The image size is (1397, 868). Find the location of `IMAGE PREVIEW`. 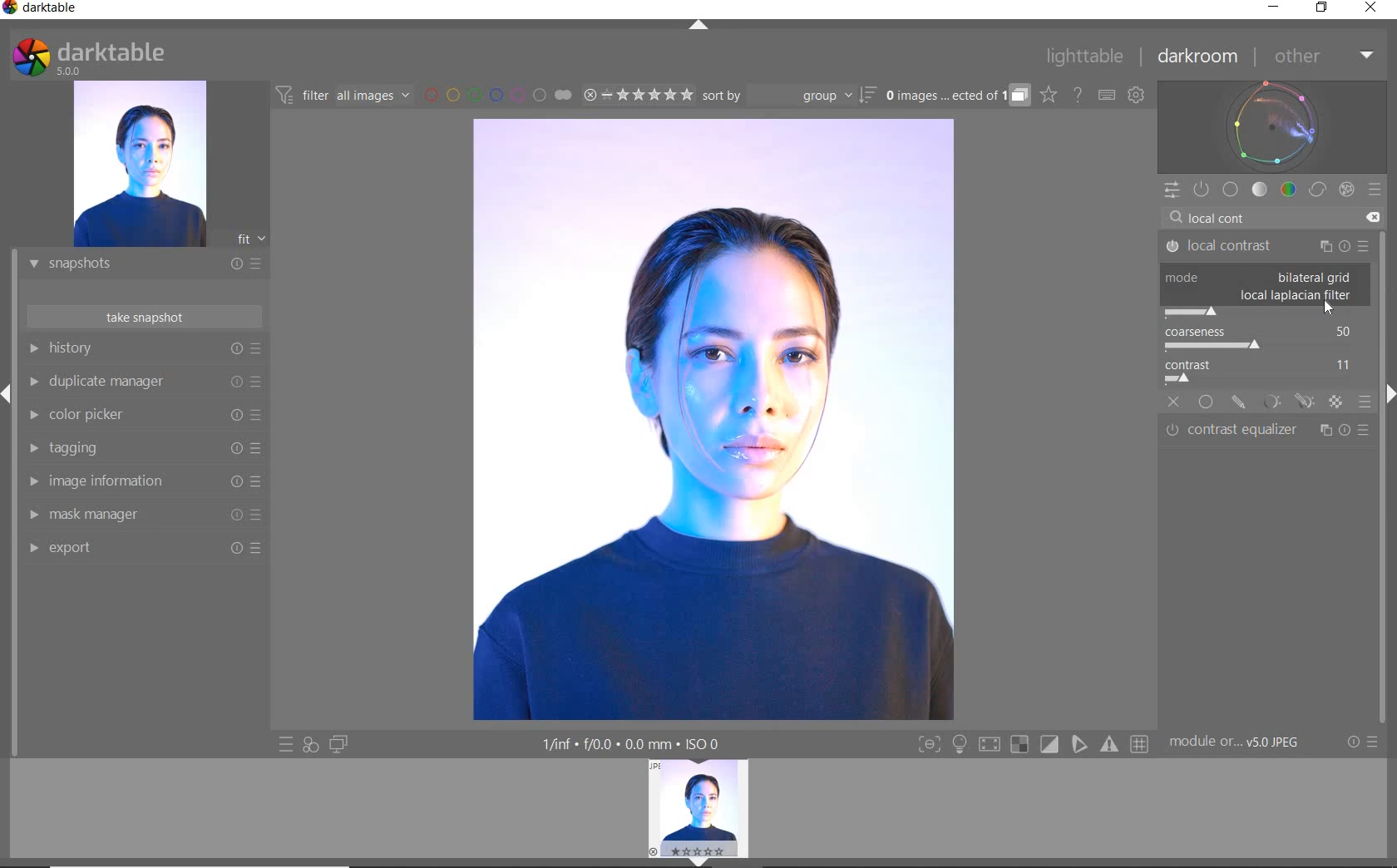

IMAGE PREVIEW is located at coordinates (698, 808).